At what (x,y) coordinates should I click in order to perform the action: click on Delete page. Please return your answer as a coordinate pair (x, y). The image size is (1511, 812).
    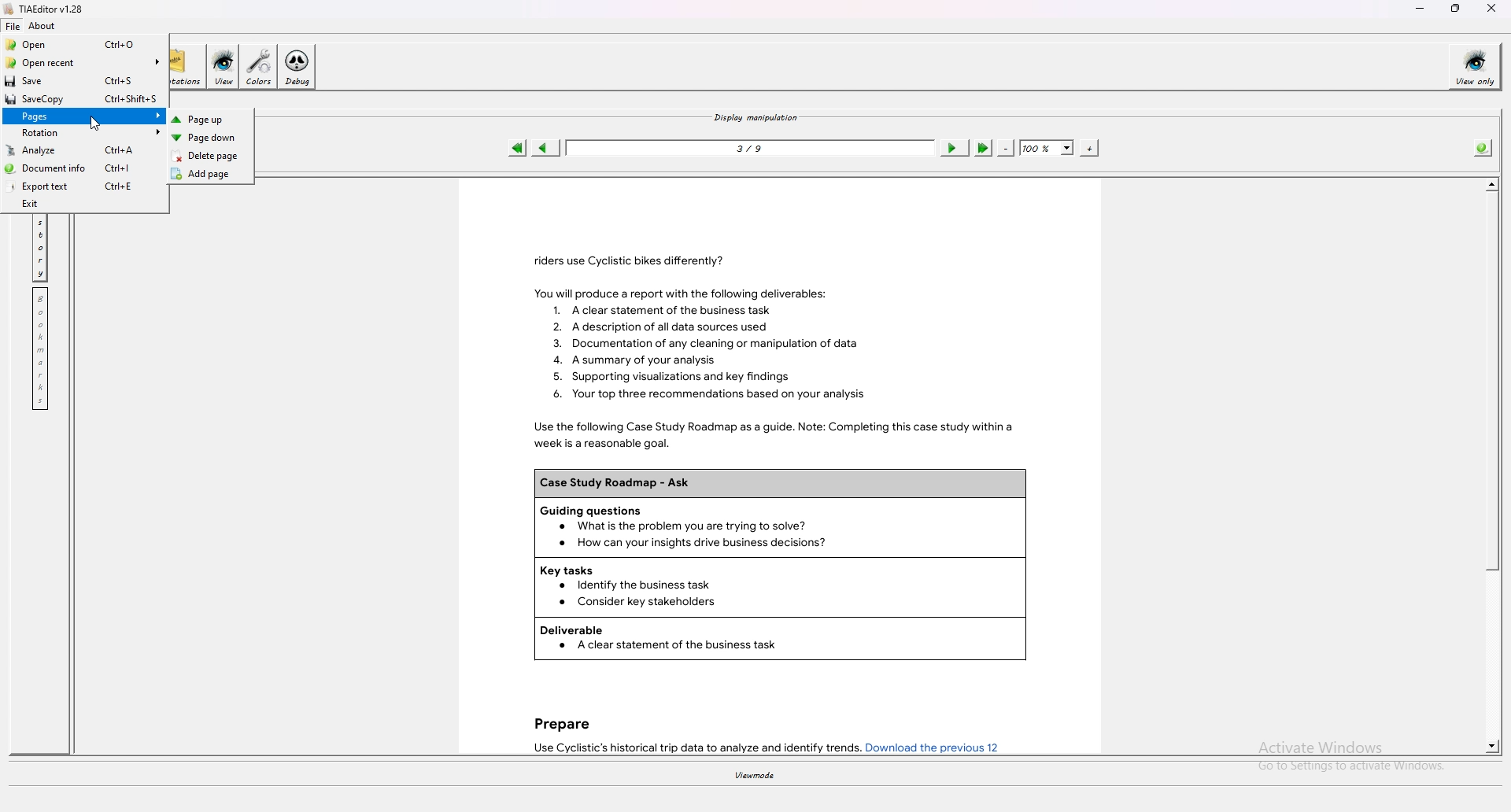
    Looking at the image, I should click on (206, 156).